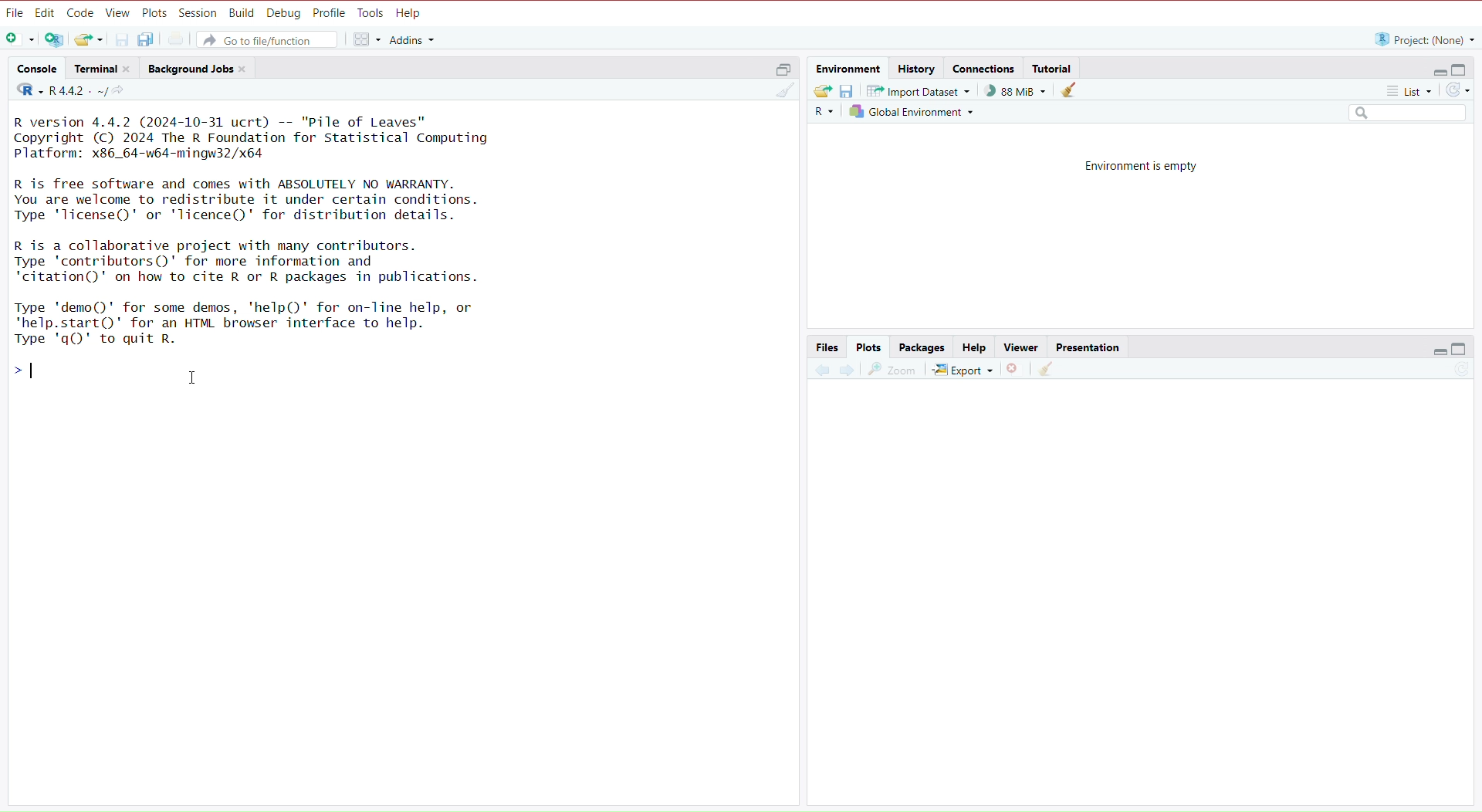 The height and width of the screenshot is (812, 1482). I want to click on Full Height, so click(1461, 68).